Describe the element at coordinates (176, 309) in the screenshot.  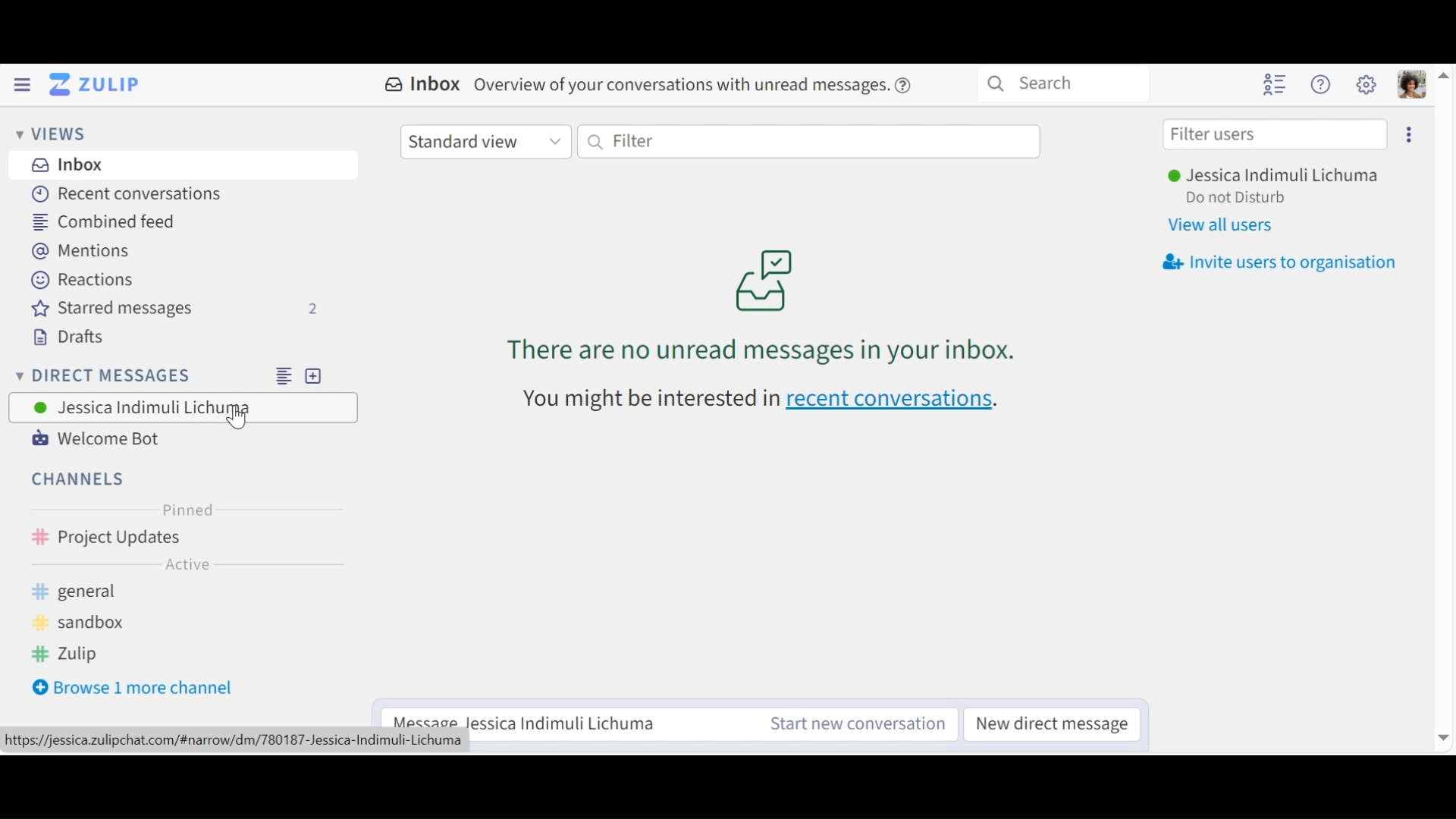
I see `Starred messages` at that location.